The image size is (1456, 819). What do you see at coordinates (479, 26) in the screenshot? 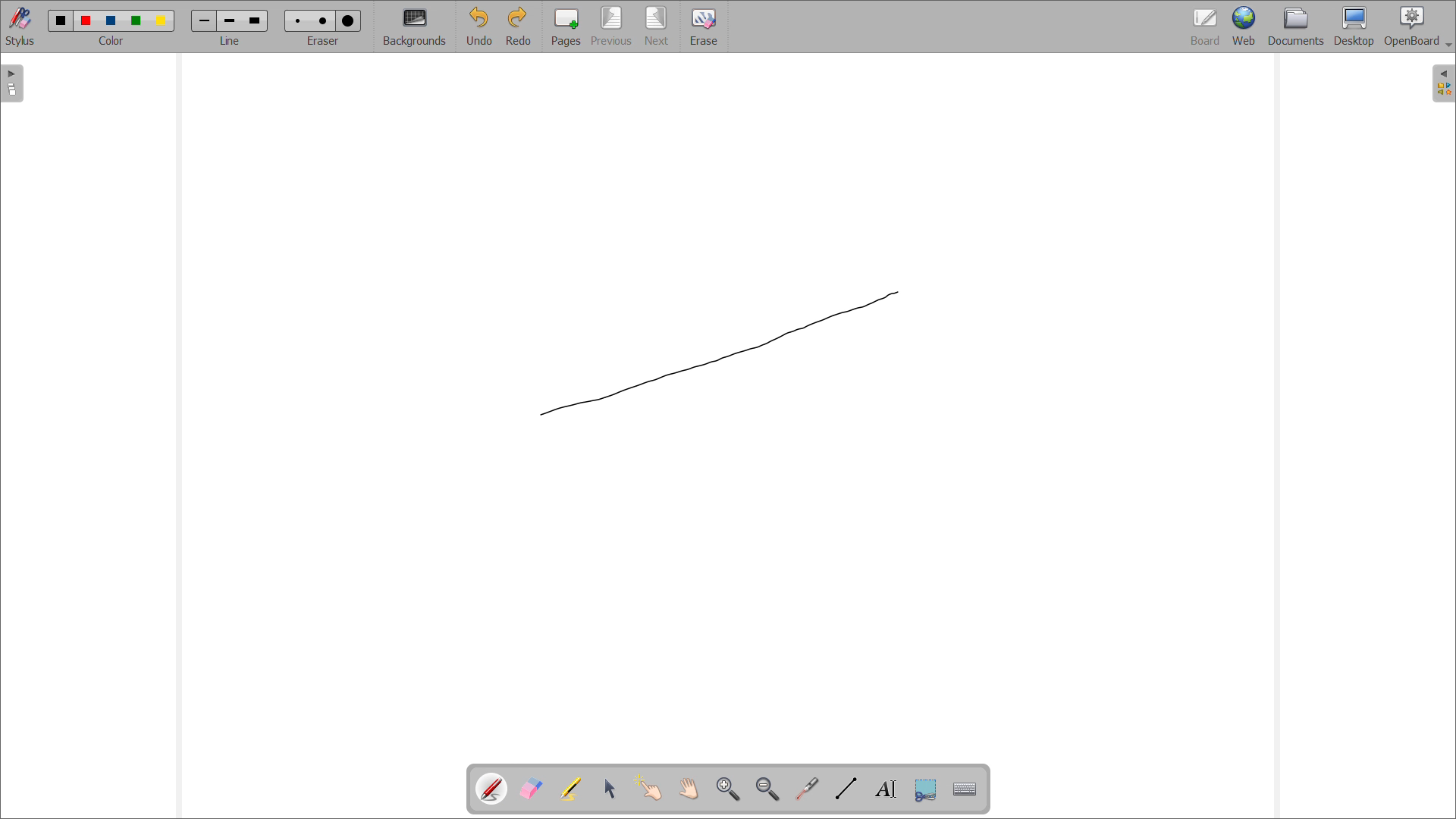
I see `undo` at bounding box center [479, 26].